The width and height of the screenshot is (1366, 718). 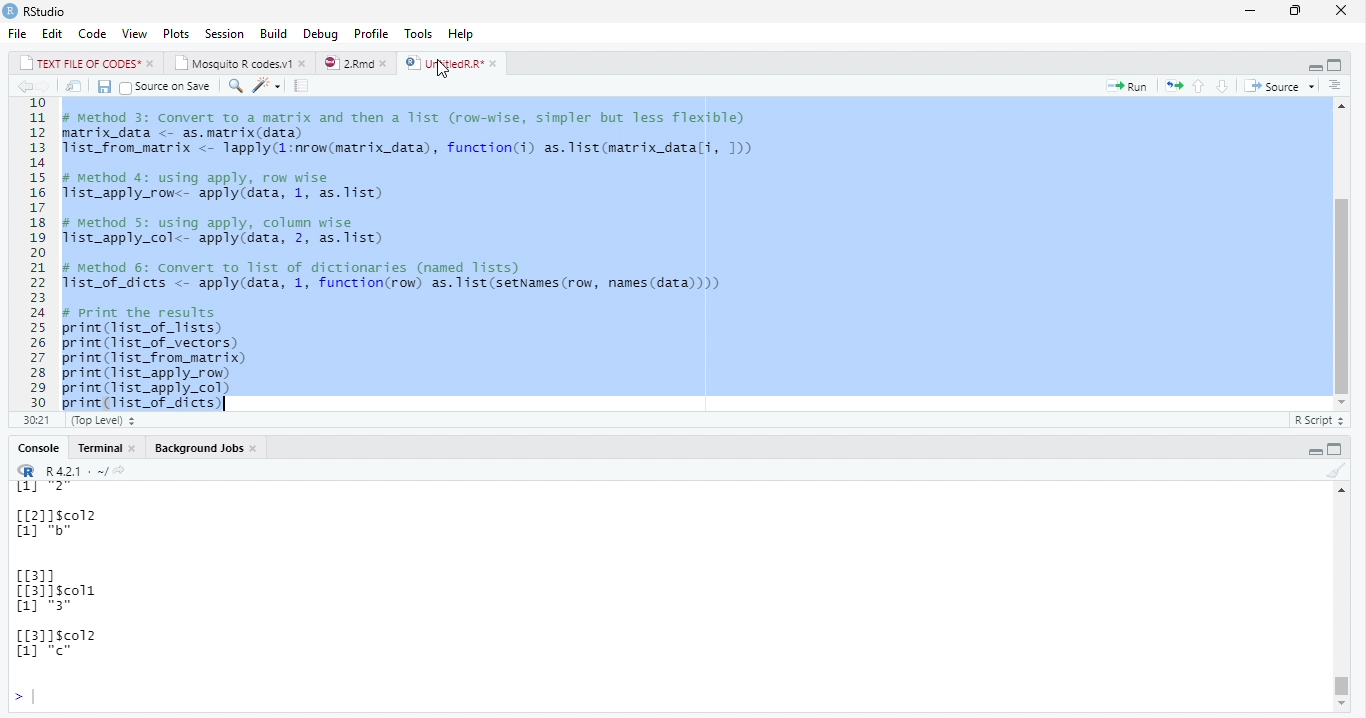 What do you see at coordinates (1335, 65) in the screenshot?
I see `Full Height` at bounding box center [1335, 65].